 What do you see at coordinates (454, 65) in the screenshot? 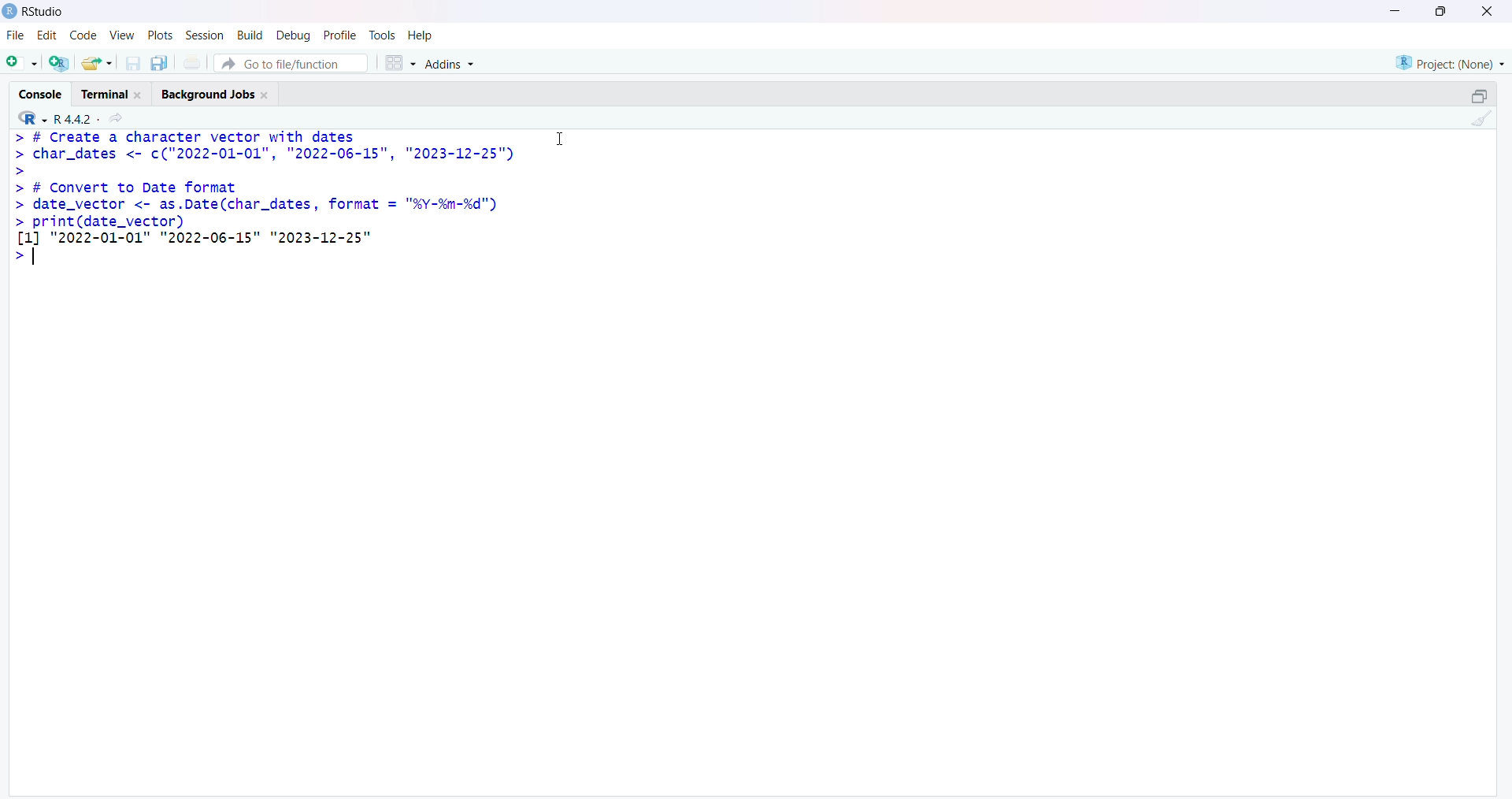
I see `Addins` at bounding box center [454, 65].